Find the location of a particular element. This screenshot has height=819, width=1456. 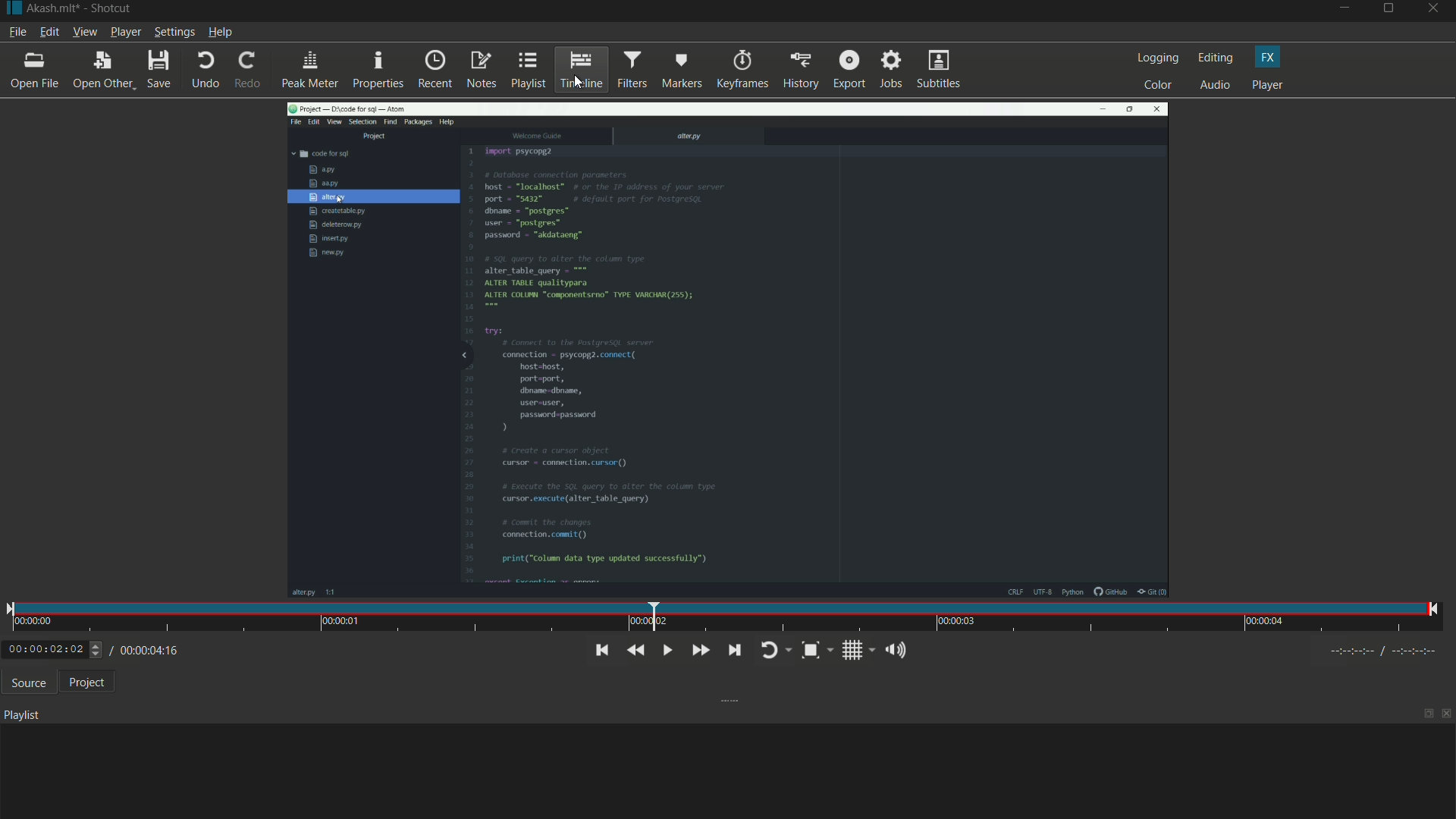

markers is located at coordinates (681, 71).